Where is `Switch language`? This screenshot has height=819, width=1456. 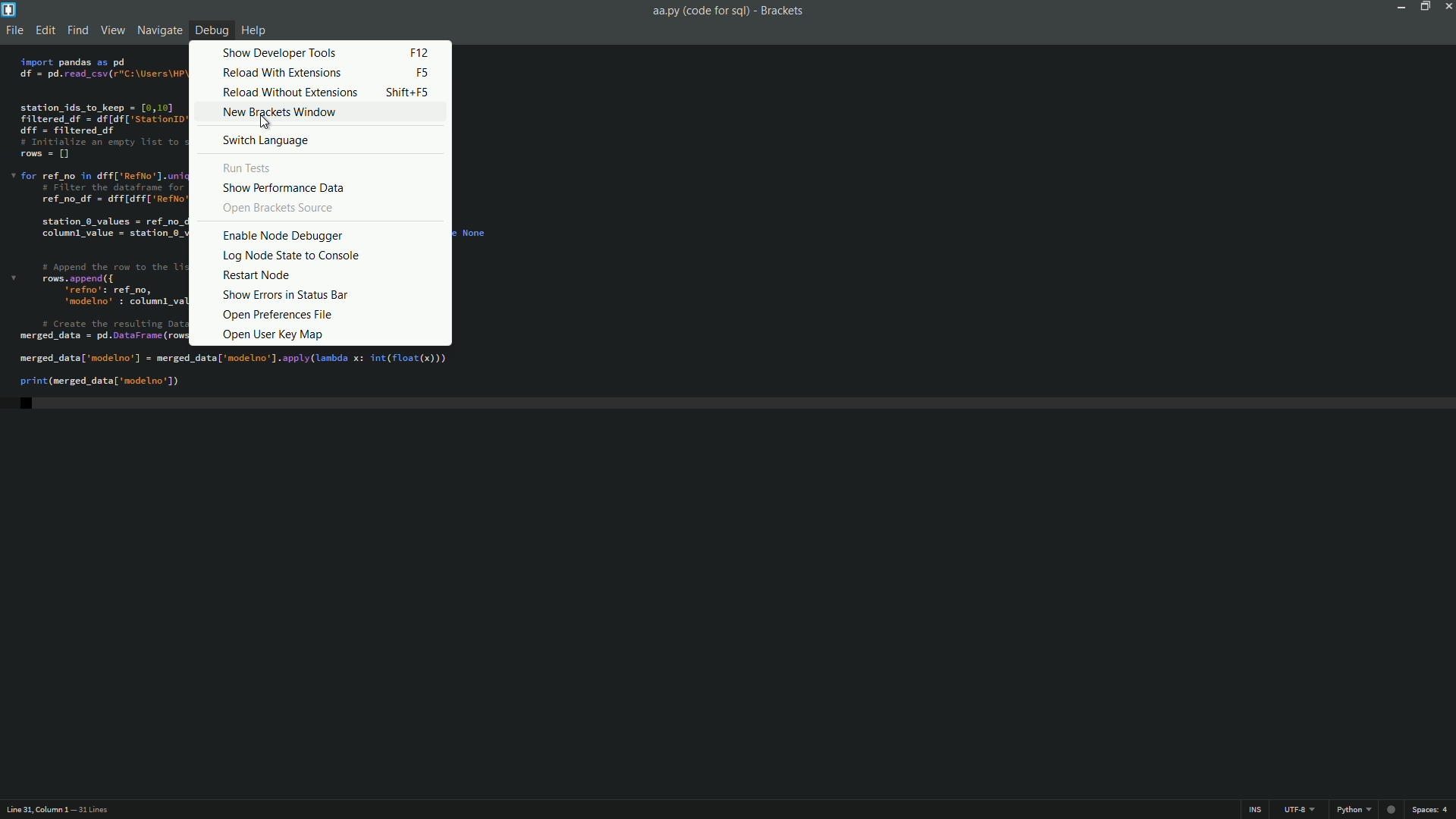 Switch language is located at coordinates (270, 140).